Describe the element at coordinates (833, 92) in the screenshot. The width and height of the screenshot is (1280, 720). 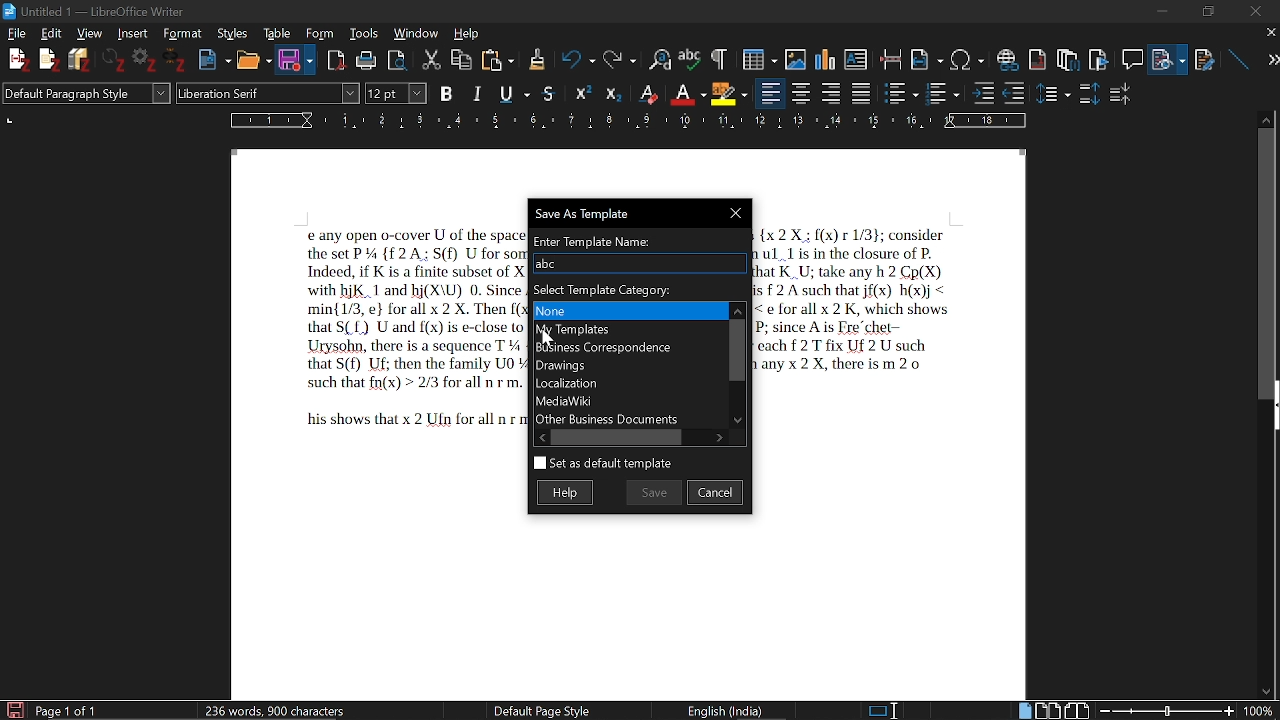
I see `Align right` at that location.